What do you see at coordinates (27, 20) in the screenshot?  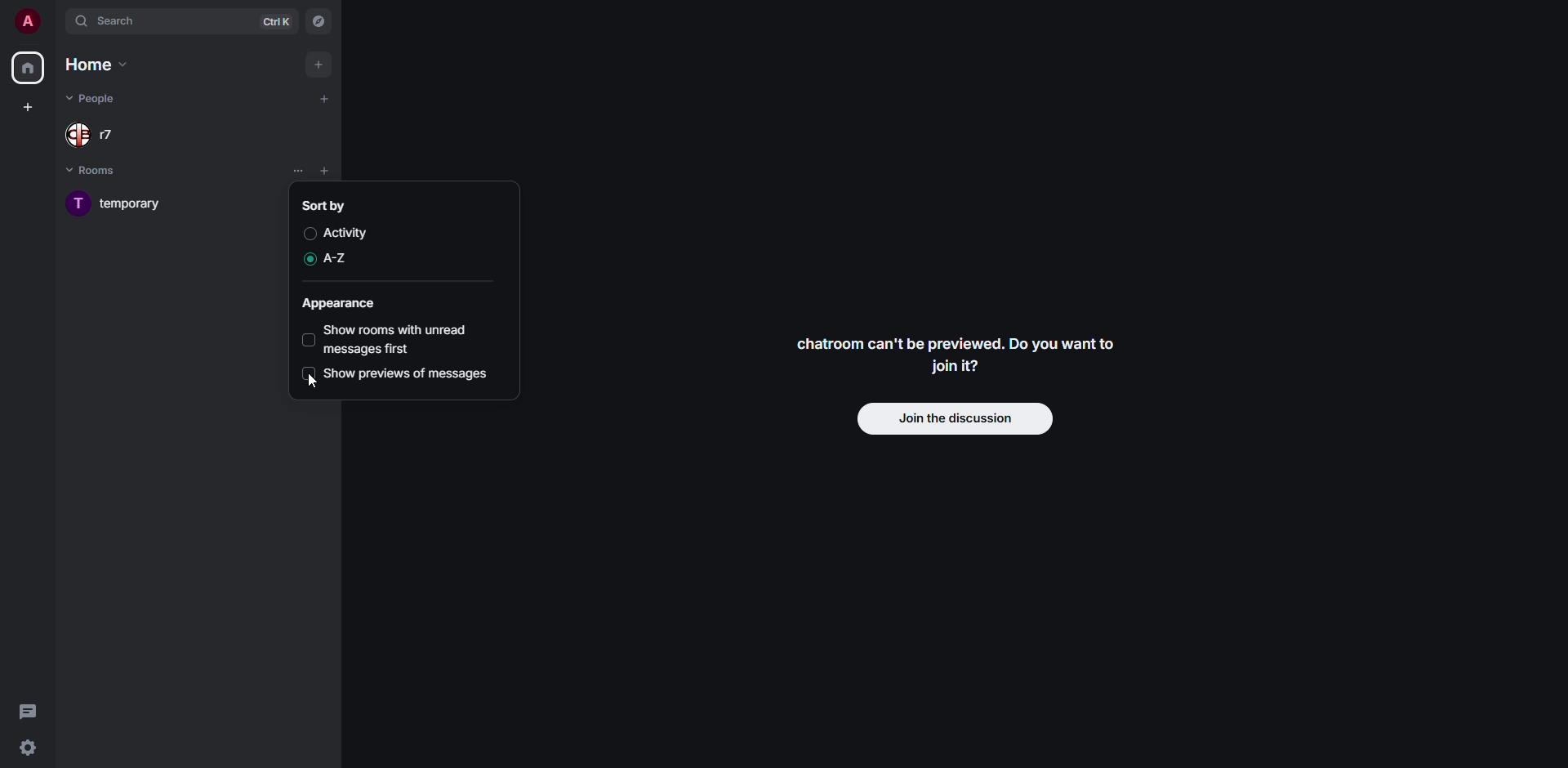 I see `profile` at bounding box center [27, 20].